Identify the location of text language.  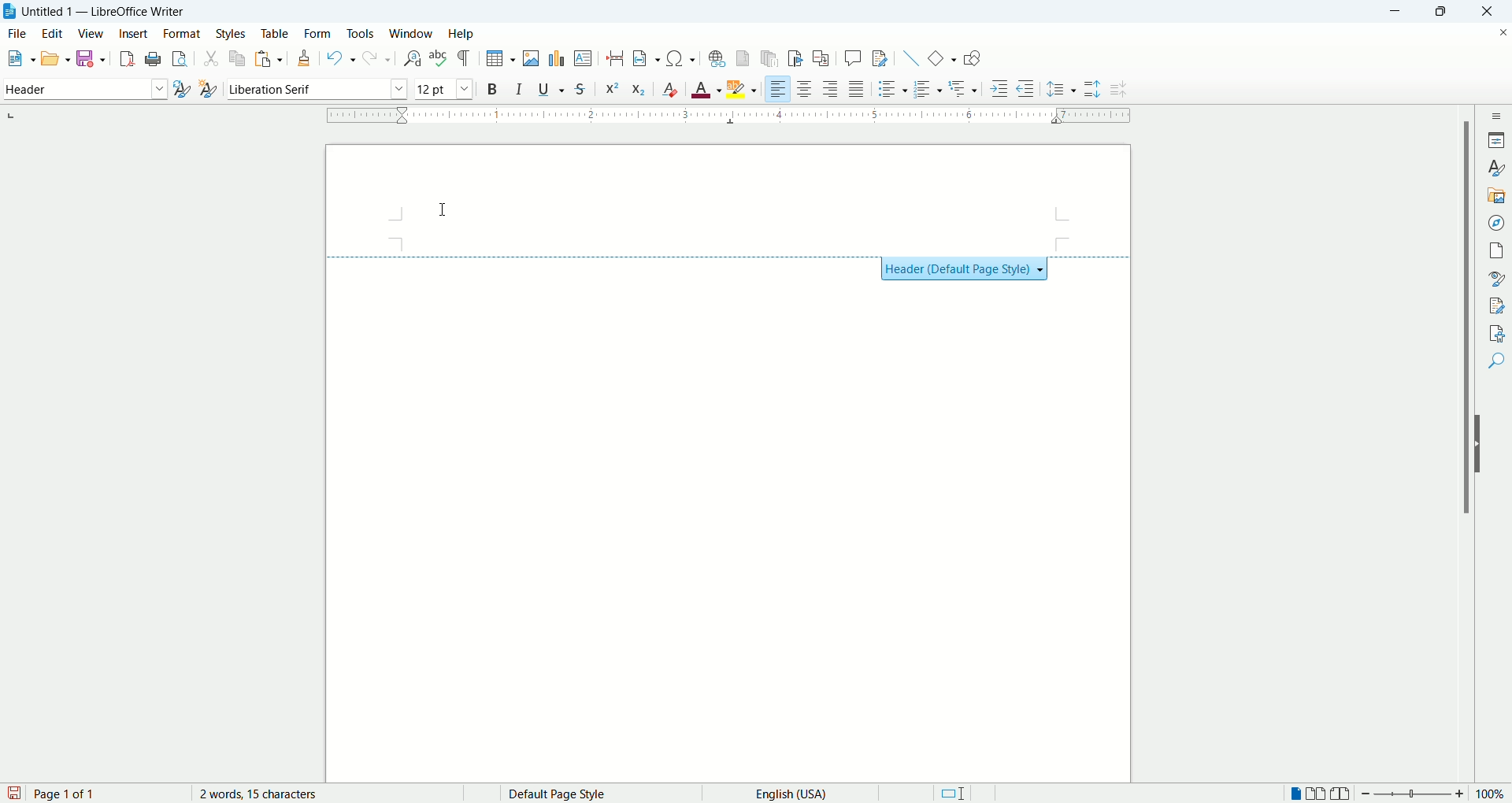
(815, 793).